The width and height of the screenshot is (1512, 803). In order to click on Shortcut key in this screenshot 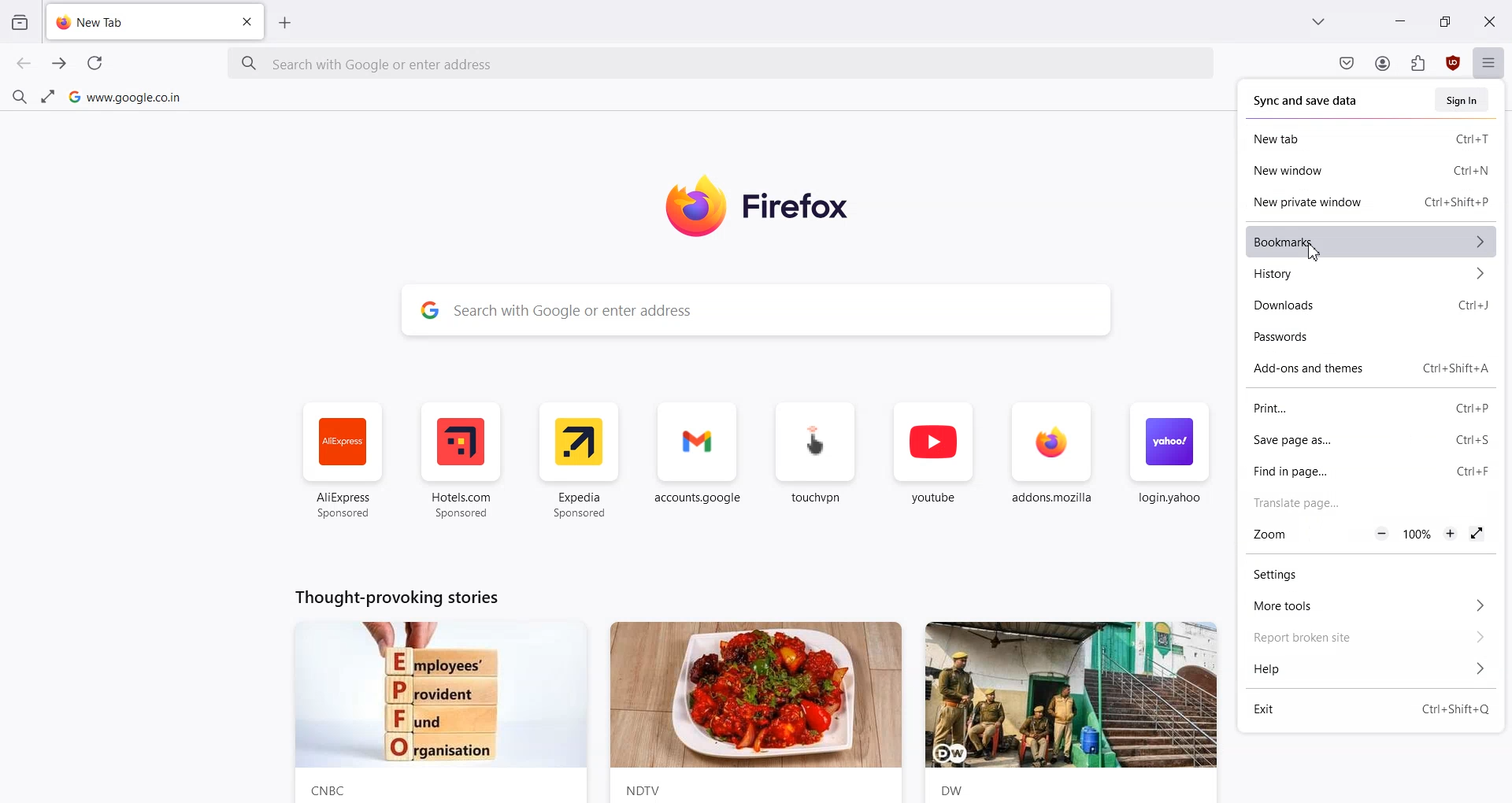, I will do `click(1473, 471)`.